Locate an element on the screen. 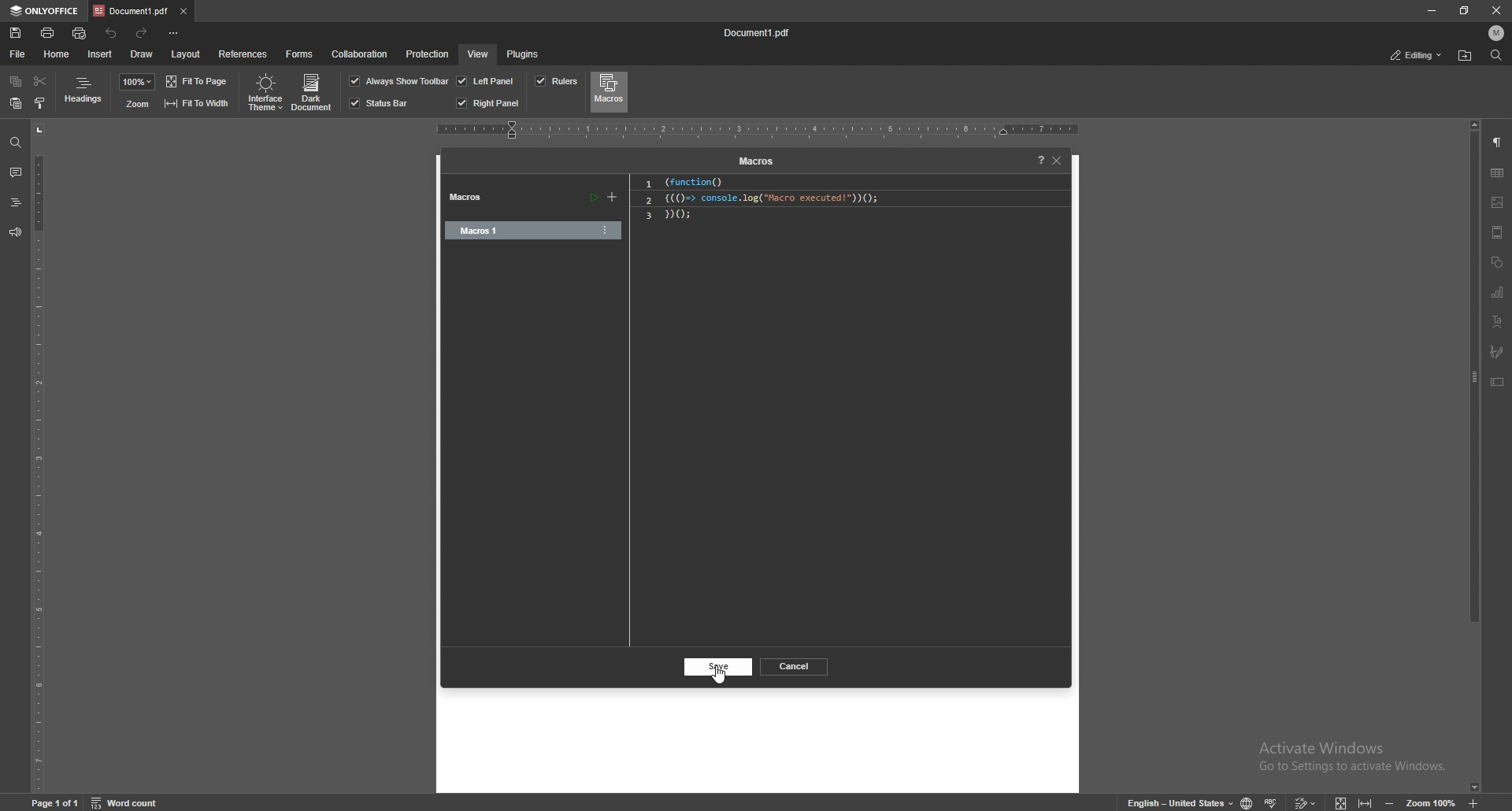 Image resolution: width=1512 pixels, height=811 pixels. onlyoffice is located at coordinates (44, 11).